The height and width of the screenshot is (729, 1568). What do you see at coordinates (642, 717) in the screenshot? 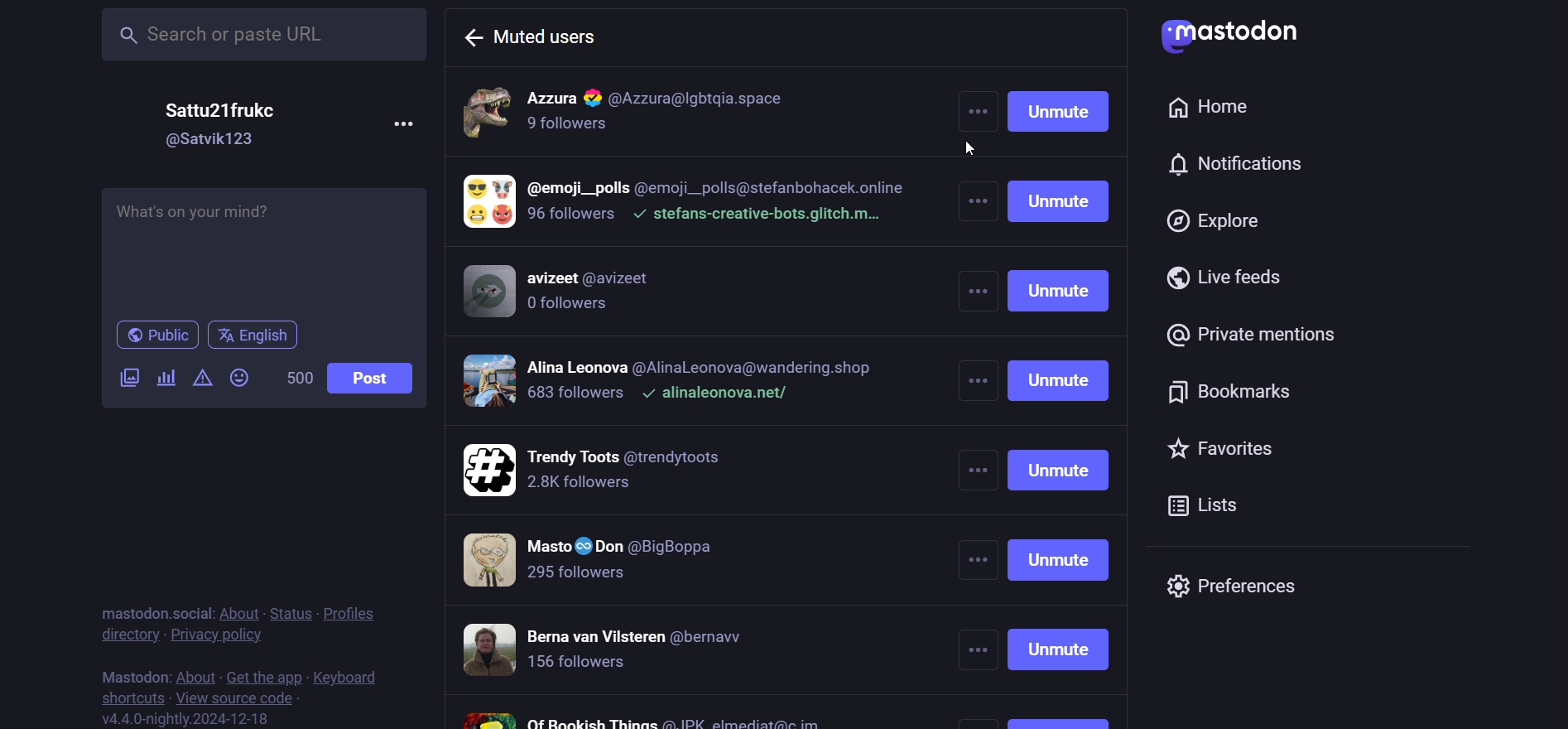
I see `muter users 8` at bounding box center [642, 717].